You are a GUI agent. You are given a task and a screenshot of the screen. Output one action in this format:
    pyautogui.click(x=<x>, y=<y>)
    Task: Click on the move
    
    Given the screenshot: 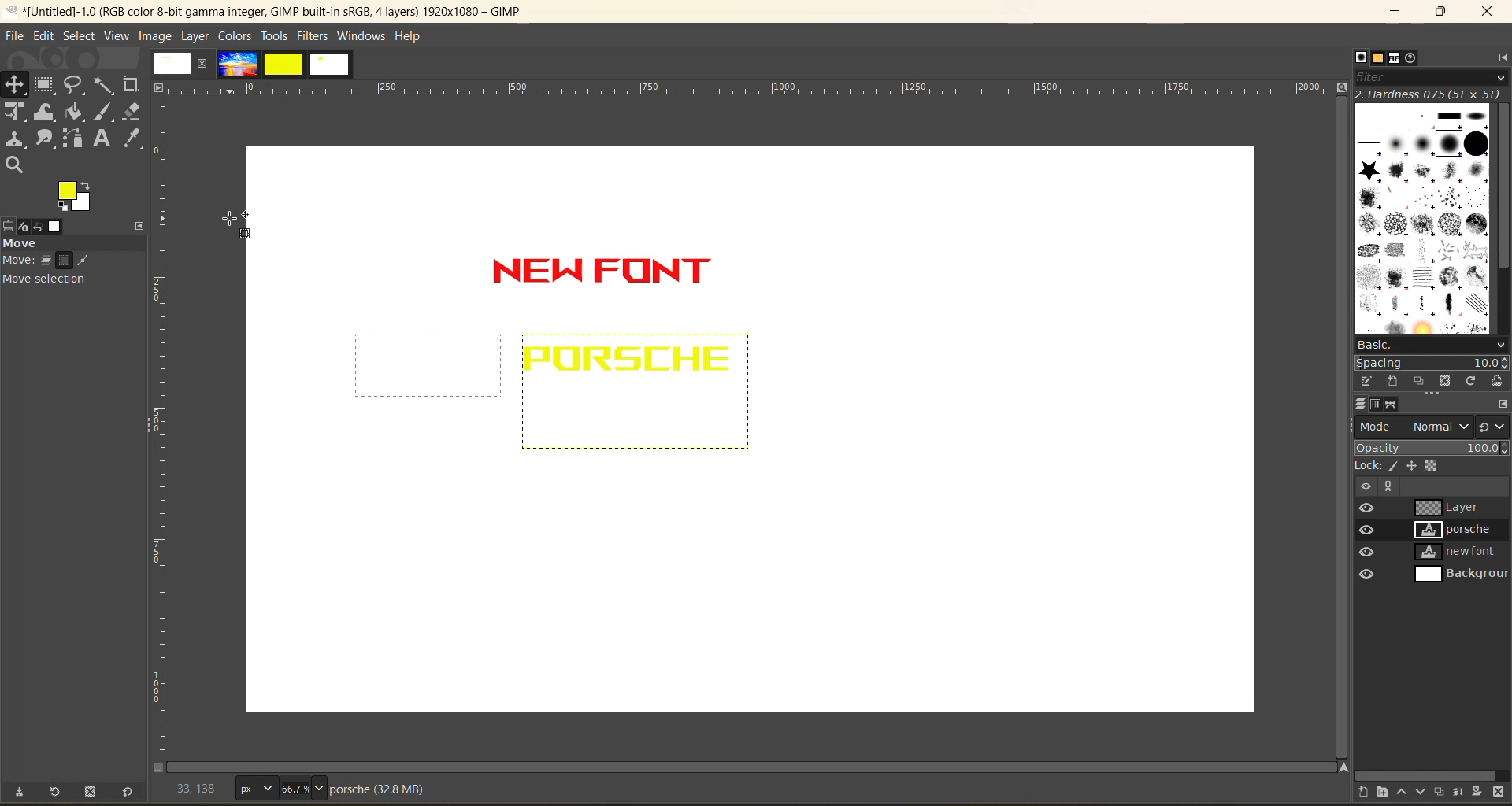 What is the action you would take?
    pyautogui.click(x=71, y=267)
    